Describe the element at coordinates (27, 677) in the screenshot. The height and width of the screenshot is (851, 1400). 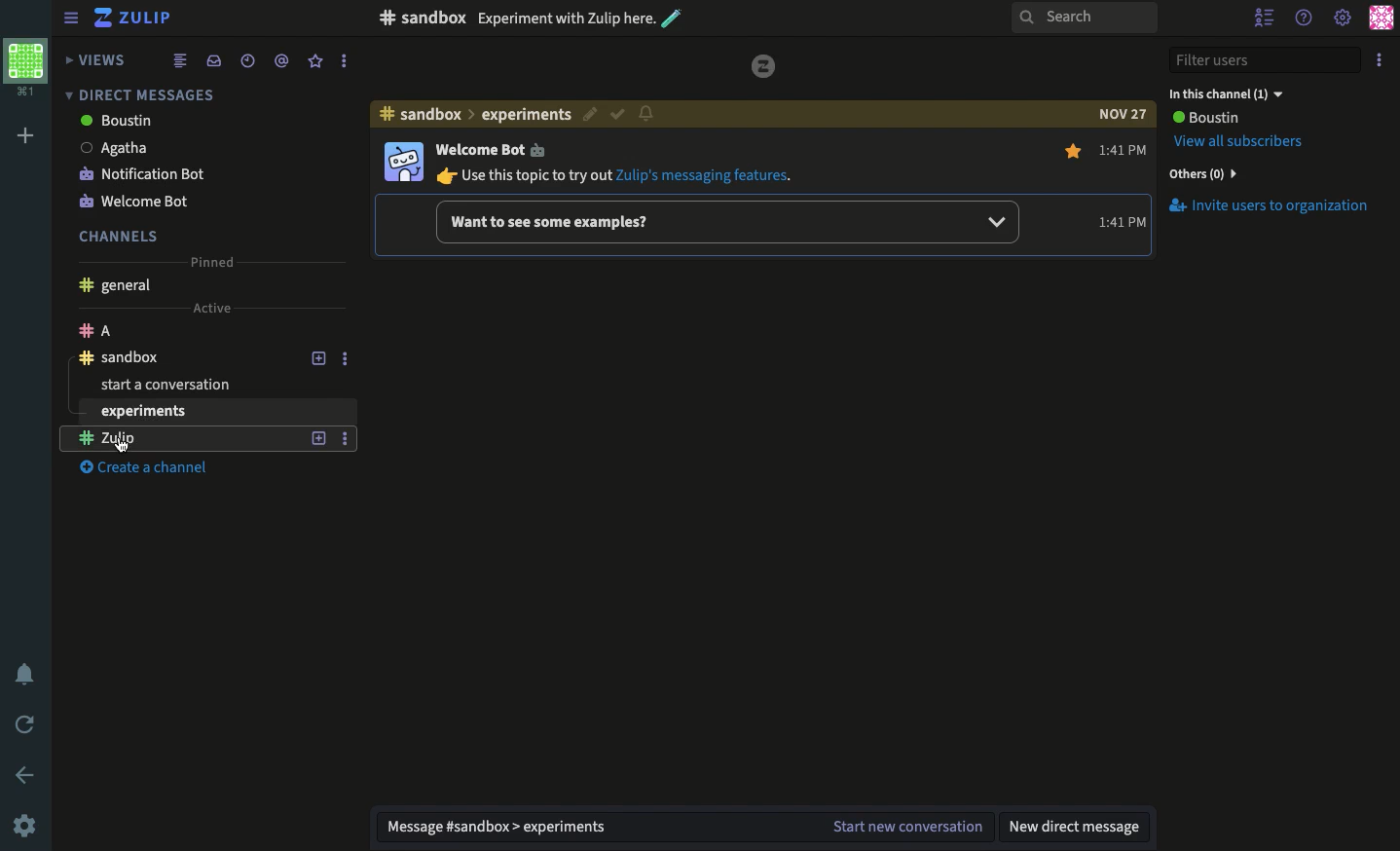
I see `Notification` at that location.